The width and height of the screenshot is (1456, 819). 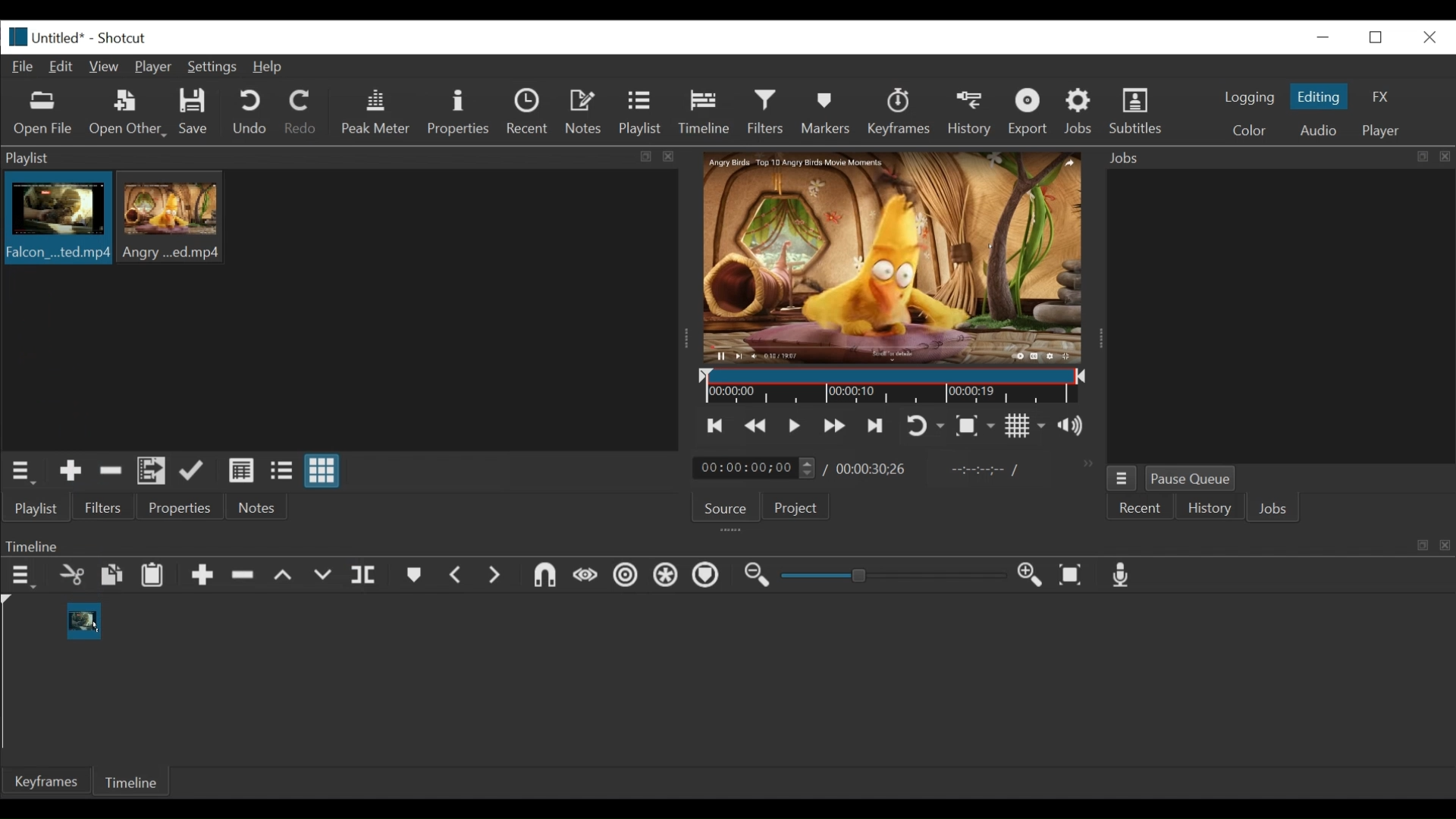 I want to click on Help, so click(x=268, y=67).